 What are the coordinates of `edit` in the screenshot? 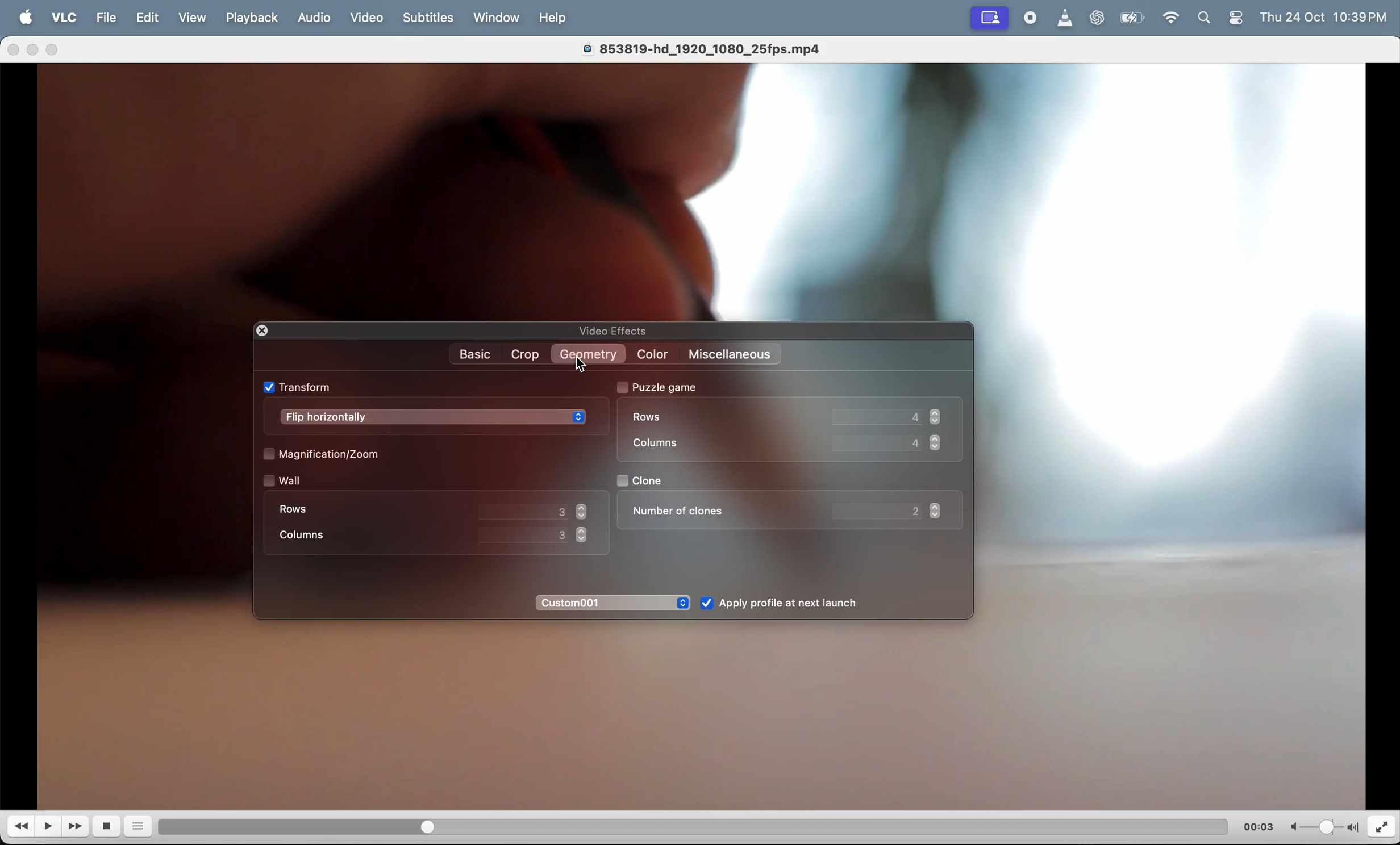 It's located at (152, 18).